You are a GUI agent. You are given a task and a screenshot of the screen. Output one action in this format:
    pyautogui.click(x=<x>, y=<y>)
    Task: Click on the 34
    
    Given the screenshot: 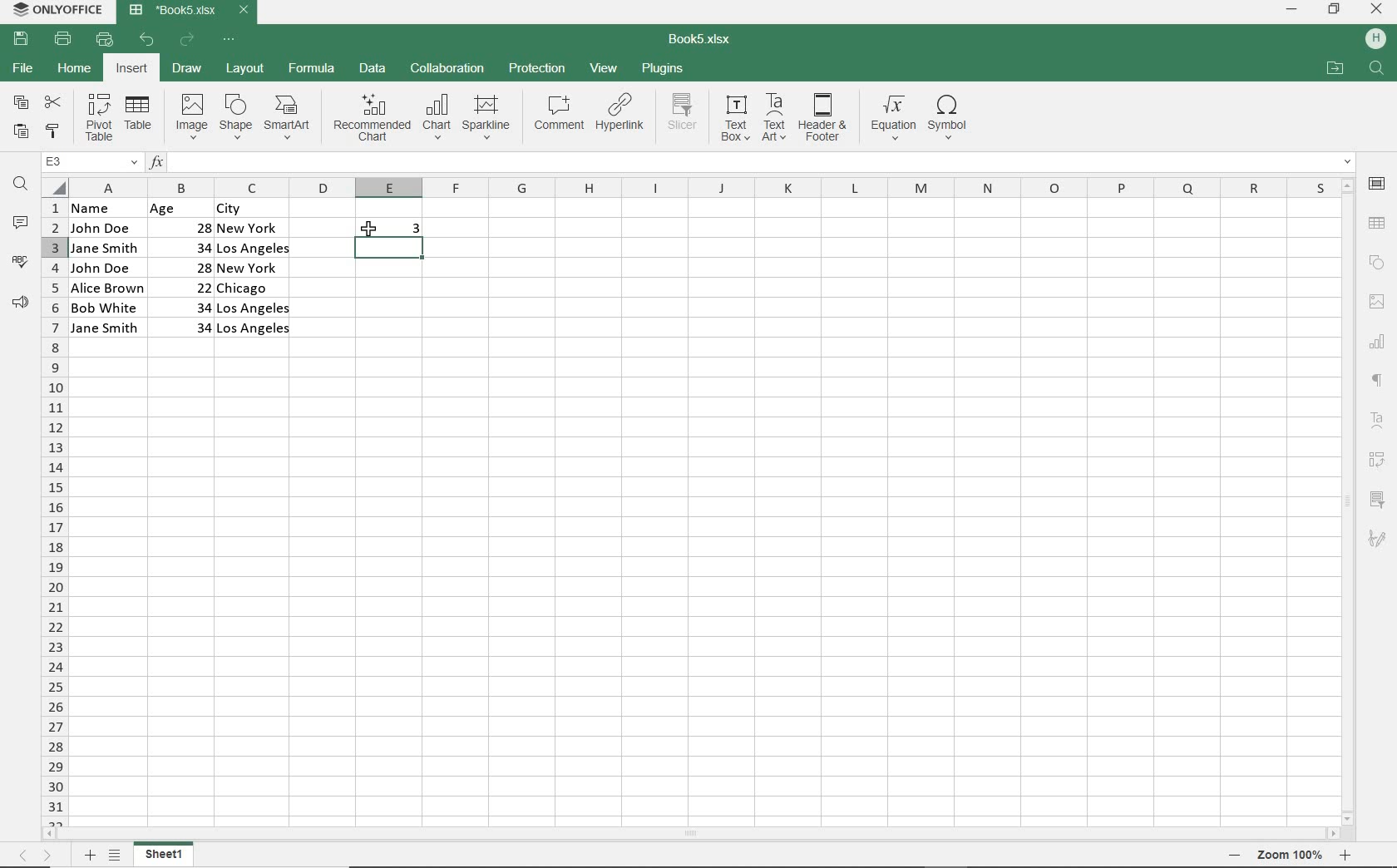 What is the action you would take?
    pyautogui.click(x=187, y=247)
    